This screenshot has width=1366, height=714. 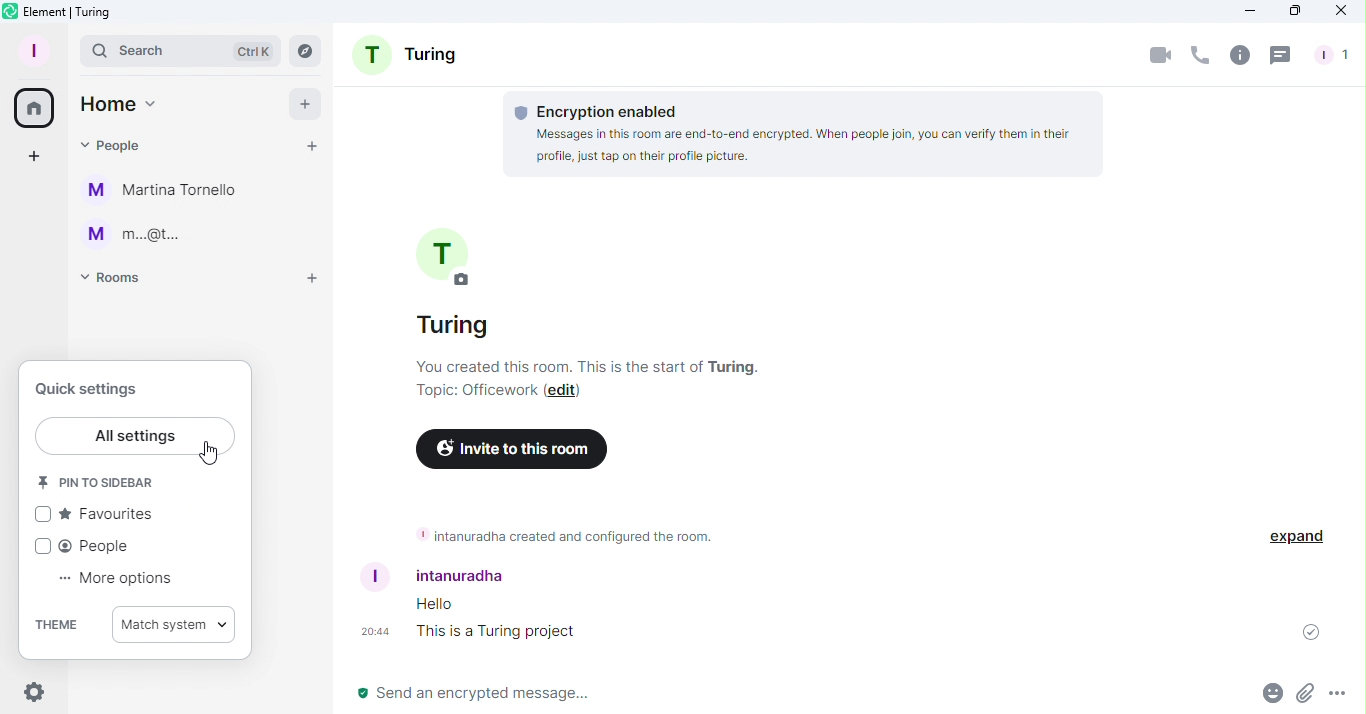 I want to click on Room info, so click(x=1238, y=56).